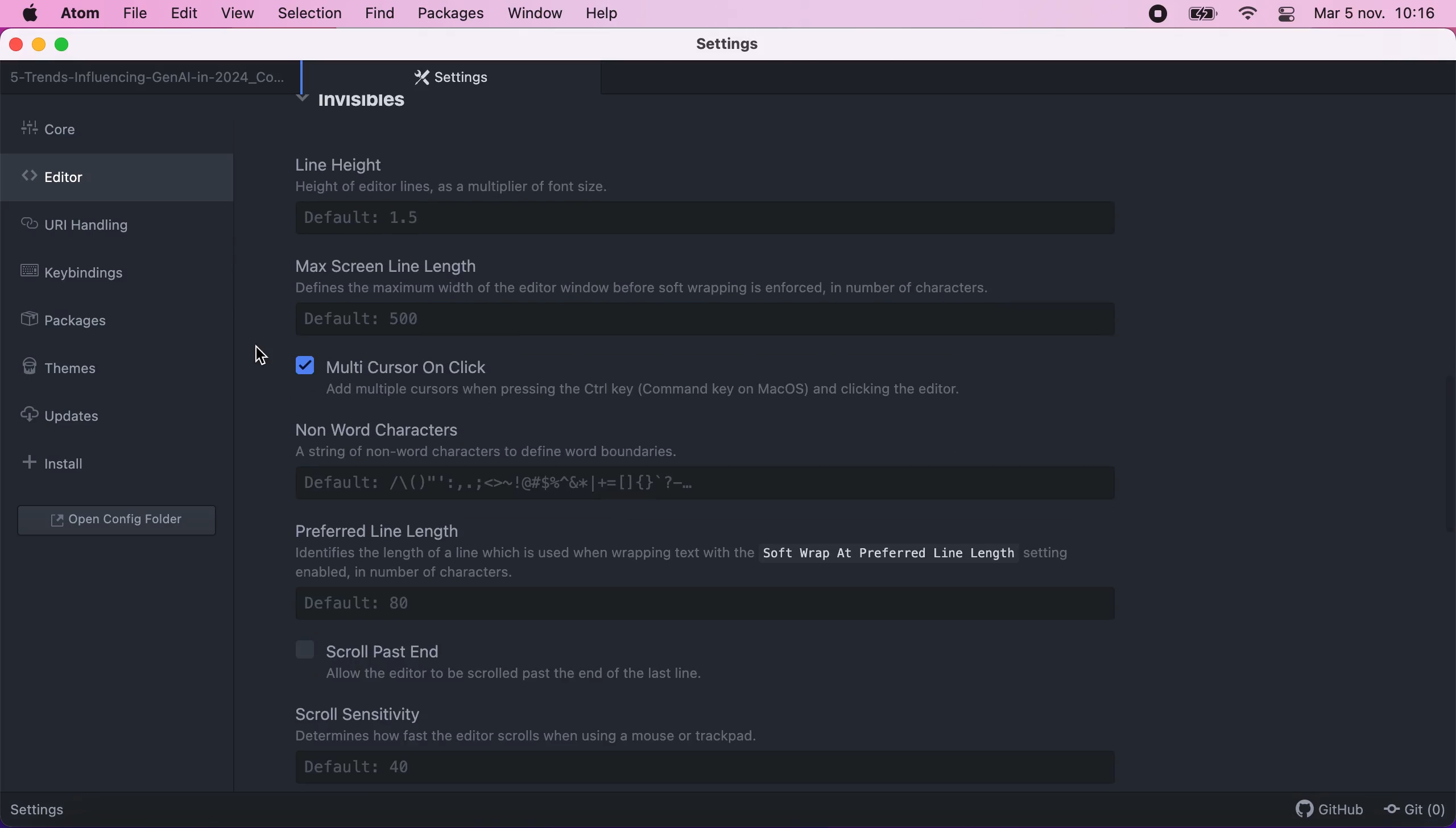 The width and height of the screenshot is (1456, 828). I want to click on themes, so click(67, 368).